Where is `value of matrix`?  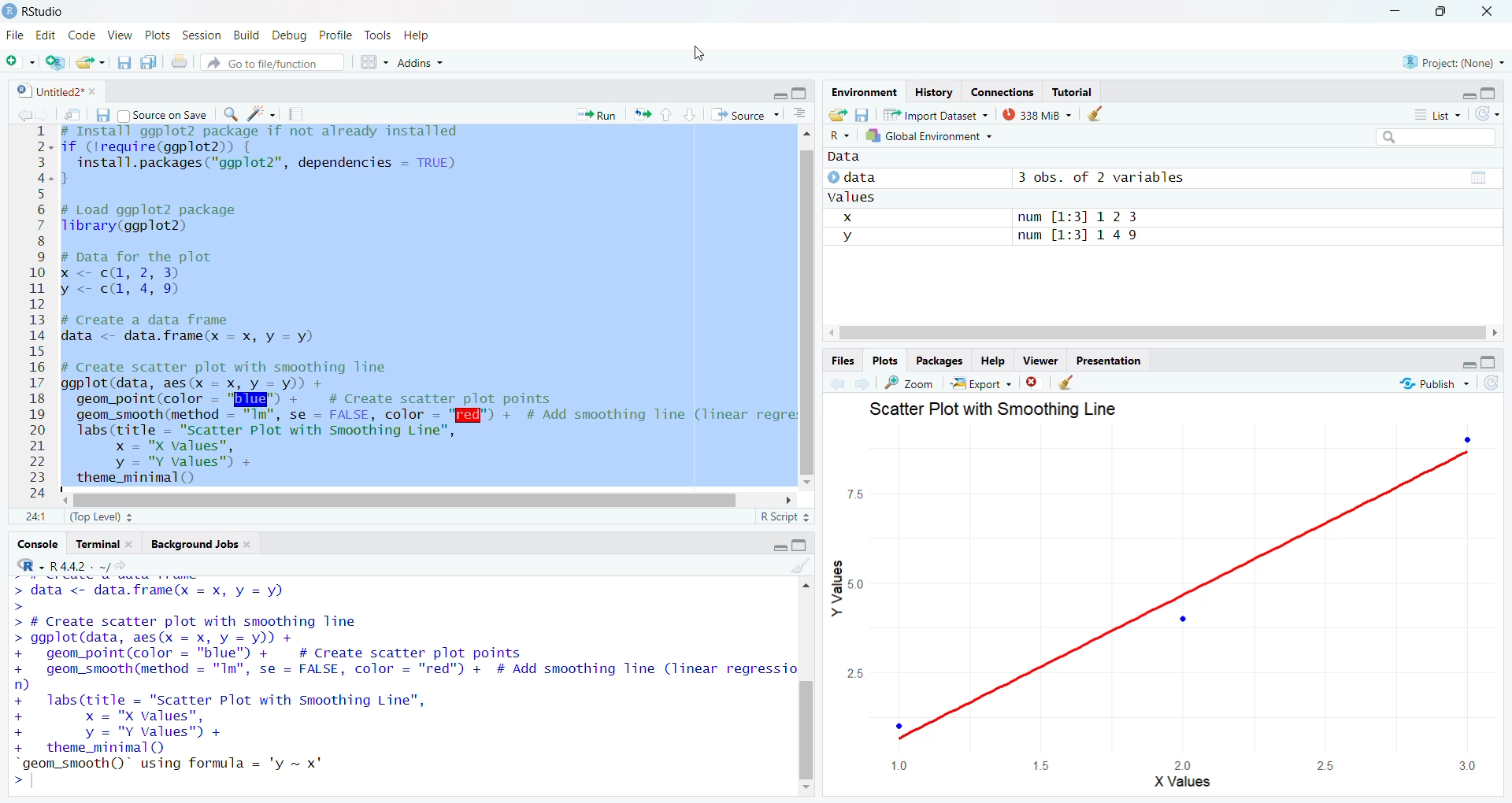
value of matrix is located at coordinates (1477, 181).